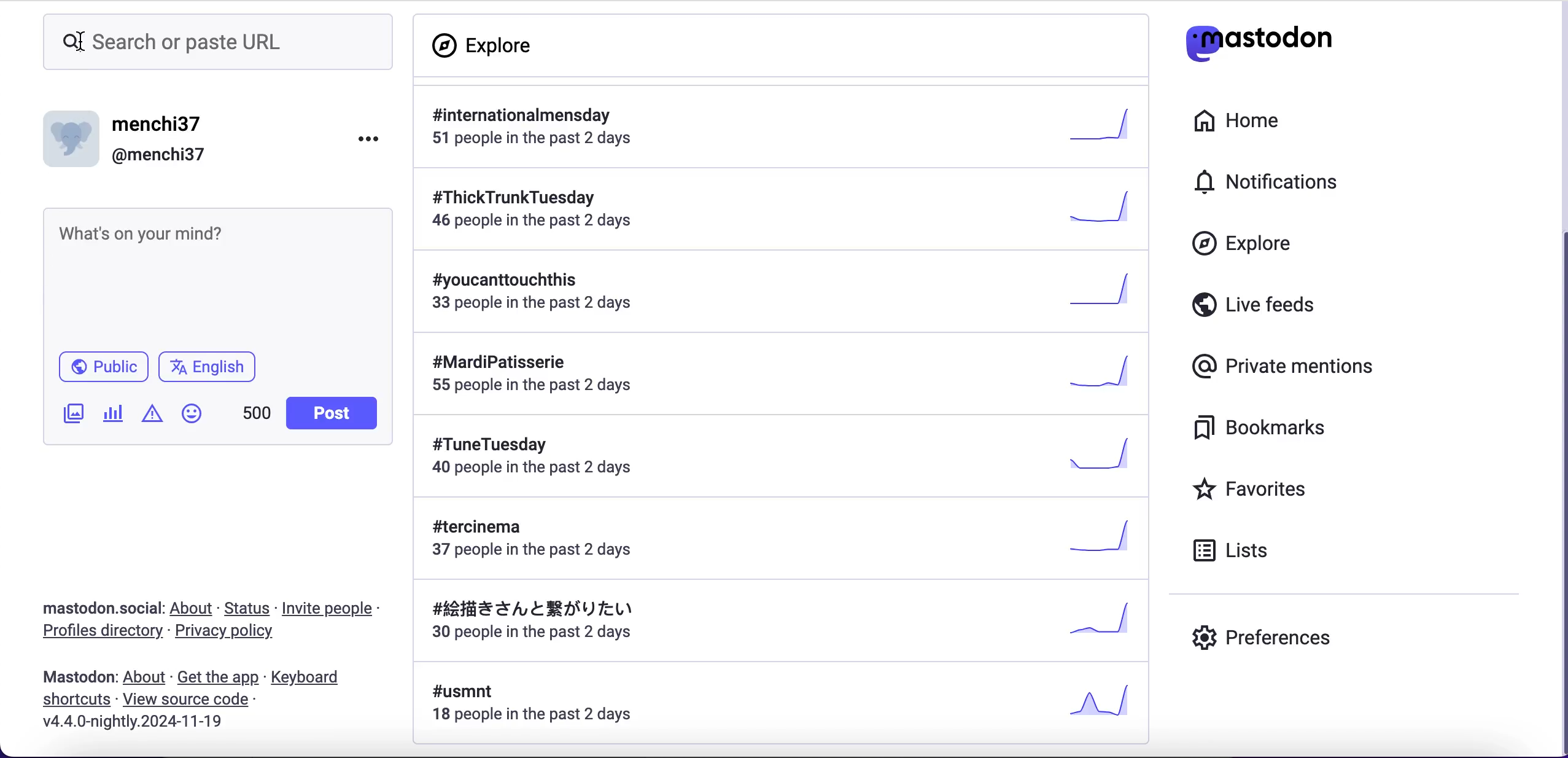 The height and width of the screenshot is (758, 1568). What do you see at coordinates (1252, 303) in the screenshot?
I see `live feeds` at bounding box center [1252, 303].